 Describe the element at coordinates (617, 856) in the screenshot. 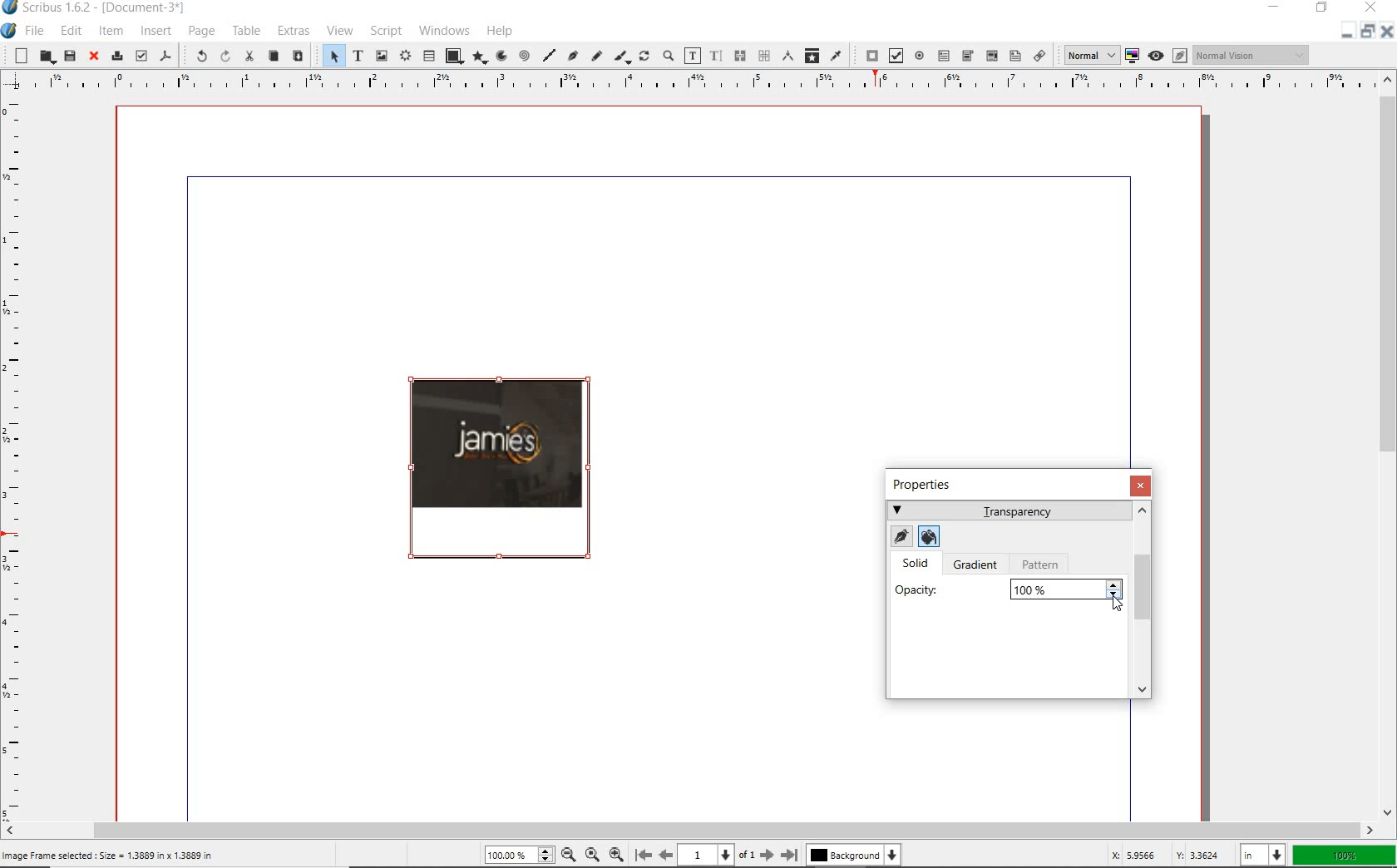

I see `zoom in` at that location.